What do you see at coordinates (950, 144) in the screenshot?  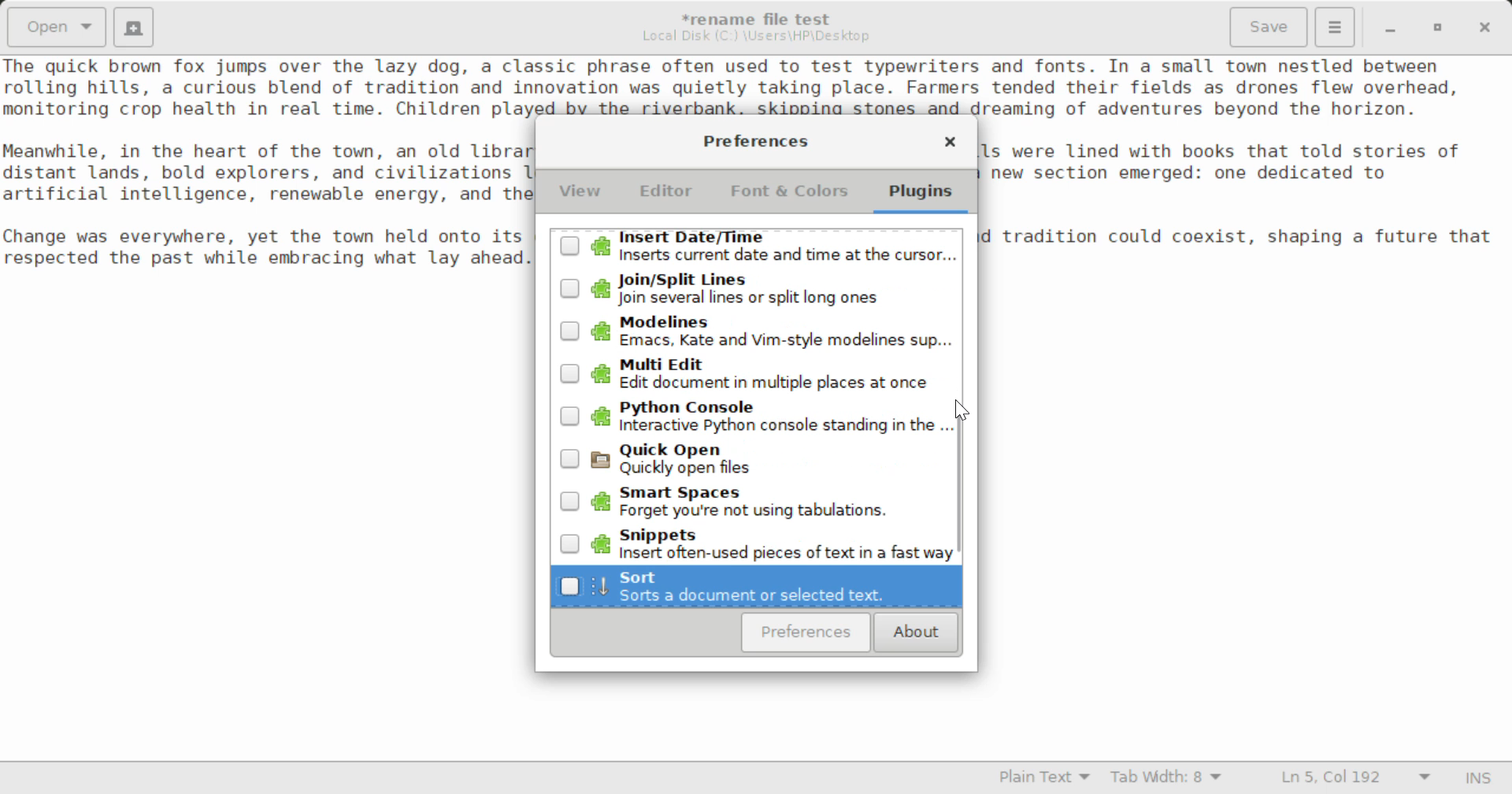 I see `Close Window` at bounding box center [950, 144].